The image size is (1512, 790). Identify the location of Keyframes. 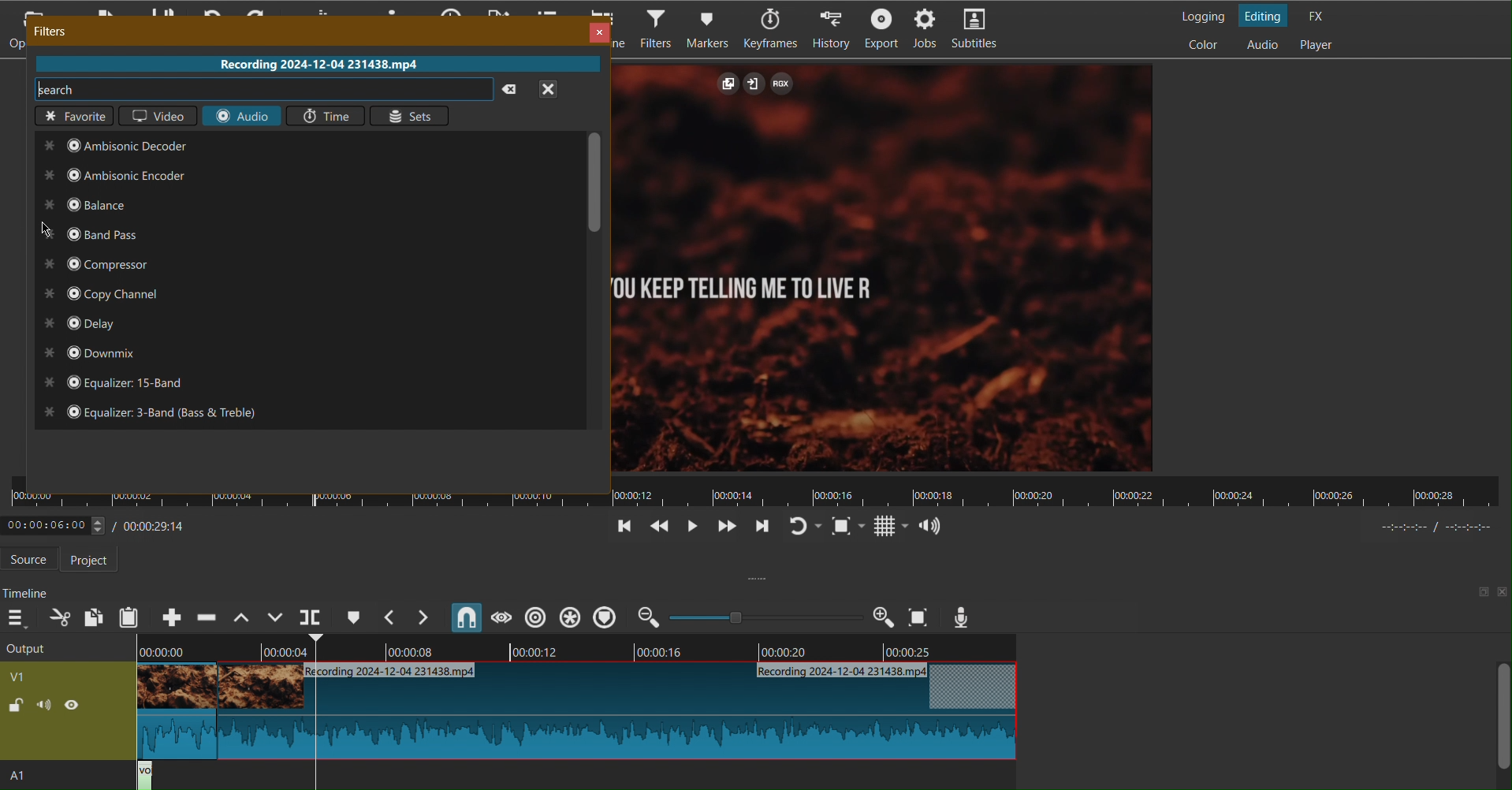
(775, 29).